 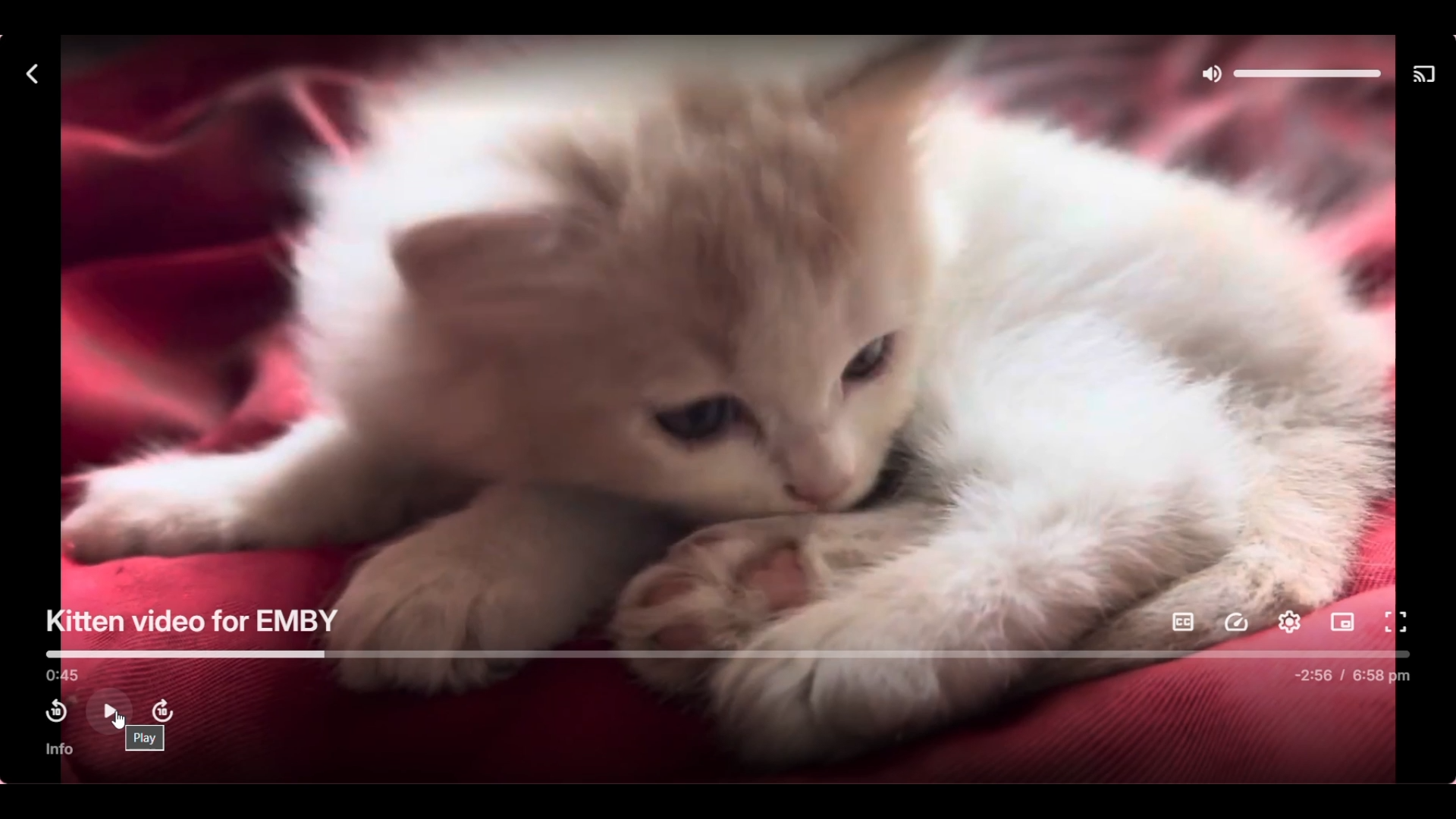 What do you see at coordinates (108, 710) in the screenshot?
I see `Play button` at bounding box center [108, 710].